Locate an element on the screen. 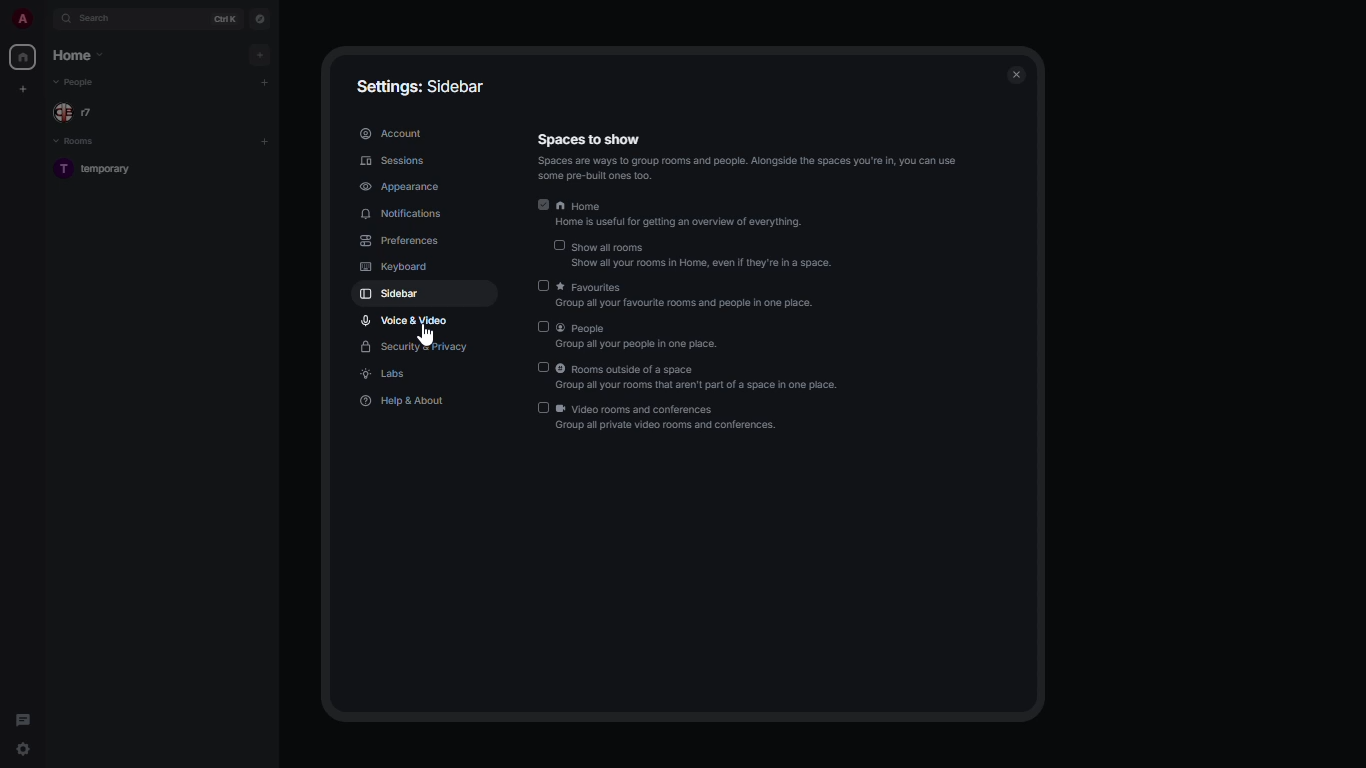 The width and height of the screenshot is (1366, 768). disabled is located at coordinates (540, 407).